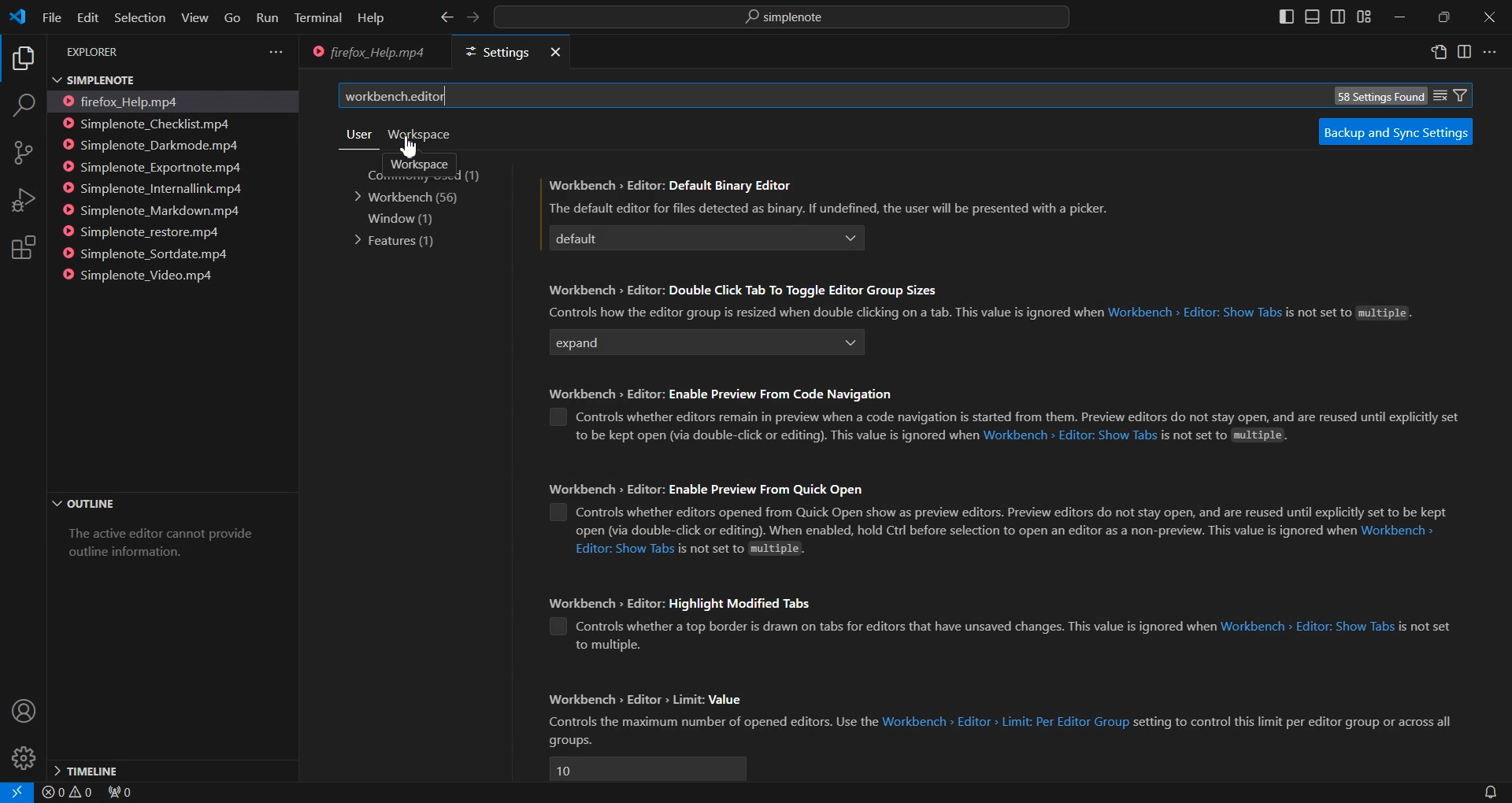  I want to click on Filter setting, so click(1462, 94).